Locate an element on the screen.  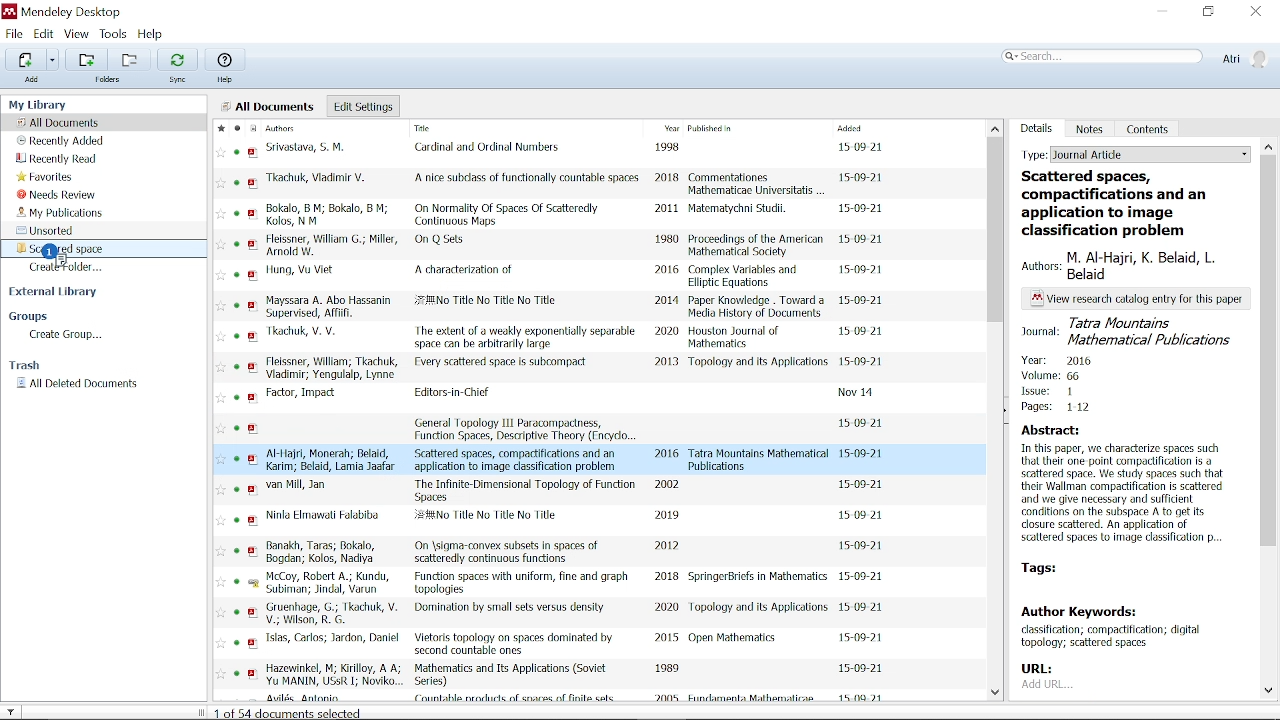
date is located at coordinates (860, 147).